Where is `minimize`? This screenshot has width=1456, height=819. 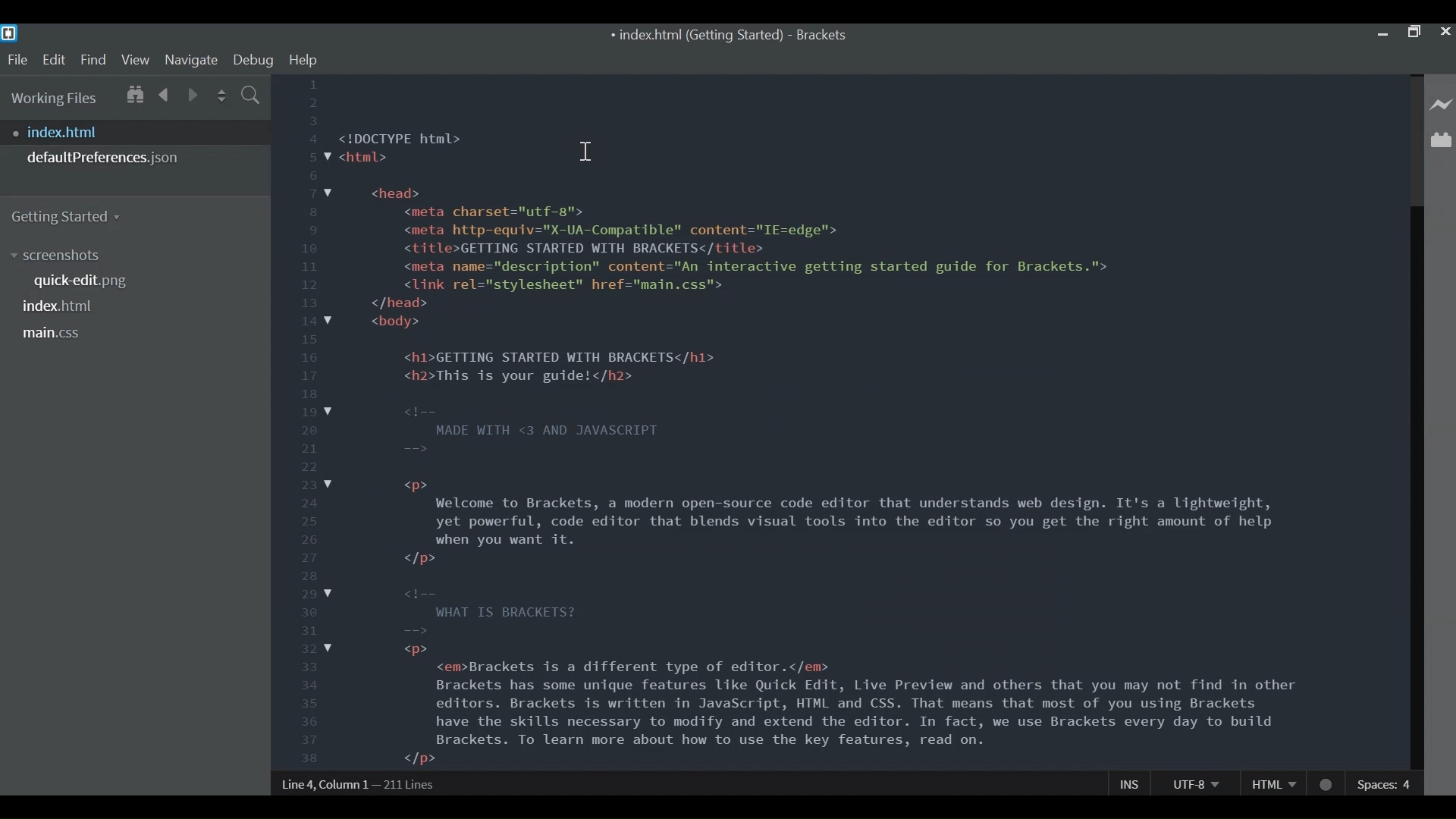
minimize is located at coordinates (1382, 32).